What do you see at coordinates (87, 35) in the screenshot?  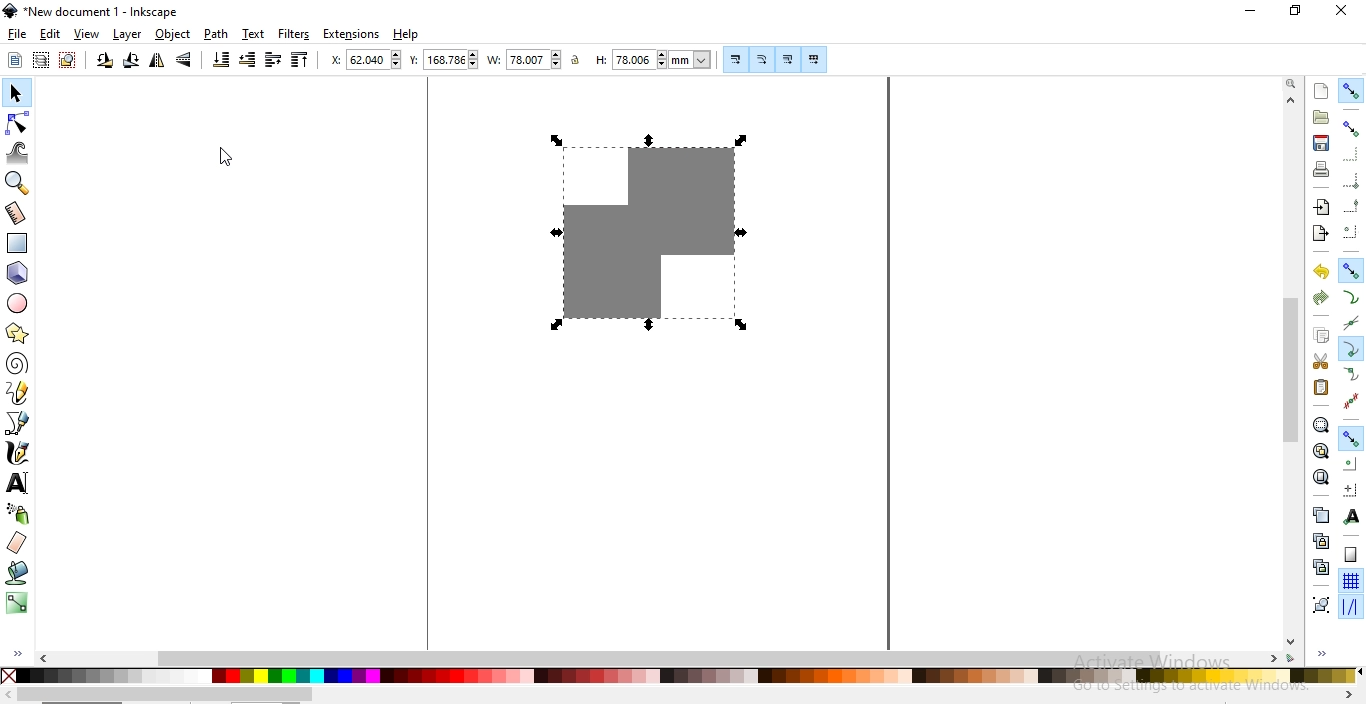 I see `view` at bounding box center [87, 35].